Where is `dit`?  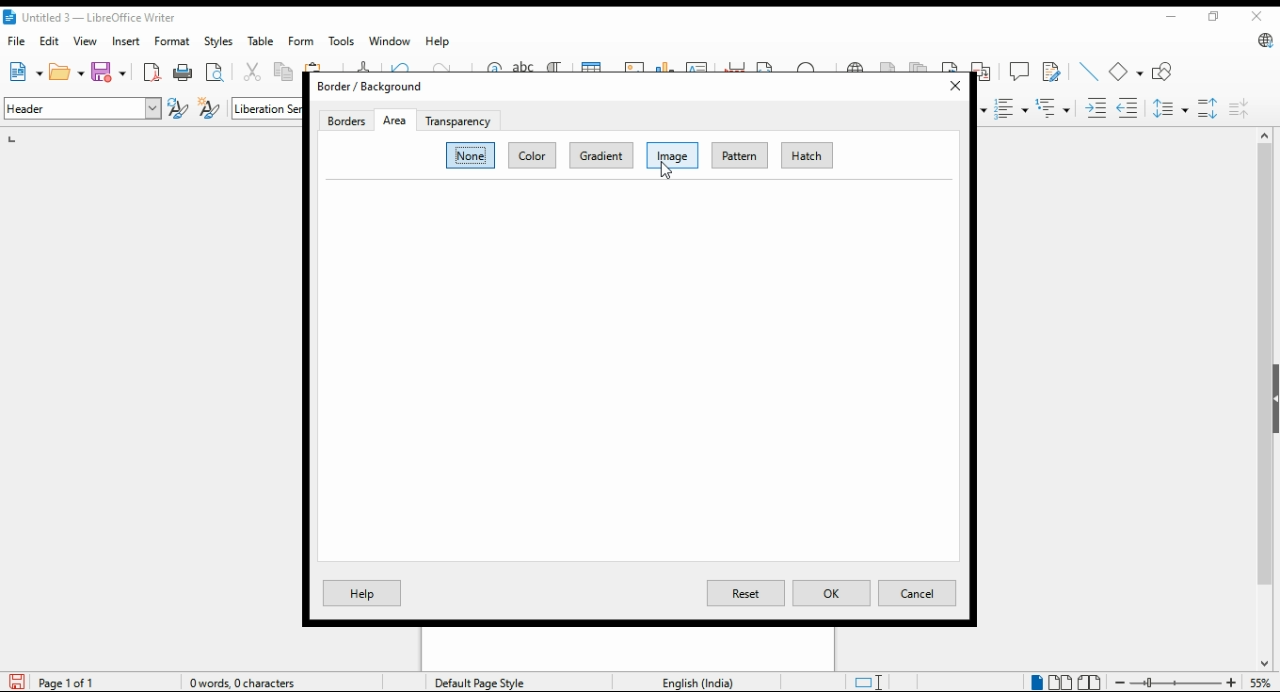 dit is located at coordinates (51, 41).